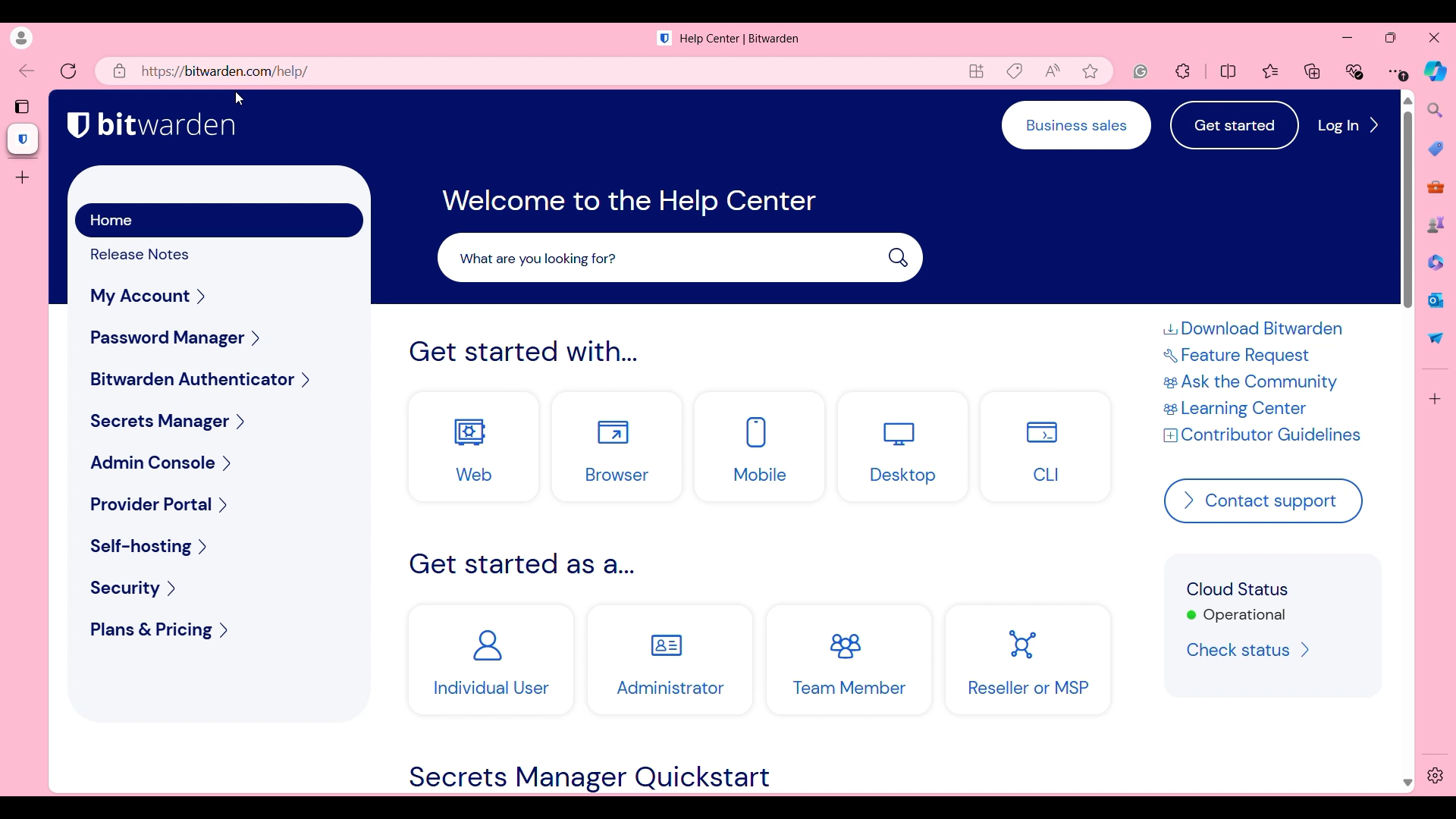  I want to click on Ask the community, so click(1254, 381).